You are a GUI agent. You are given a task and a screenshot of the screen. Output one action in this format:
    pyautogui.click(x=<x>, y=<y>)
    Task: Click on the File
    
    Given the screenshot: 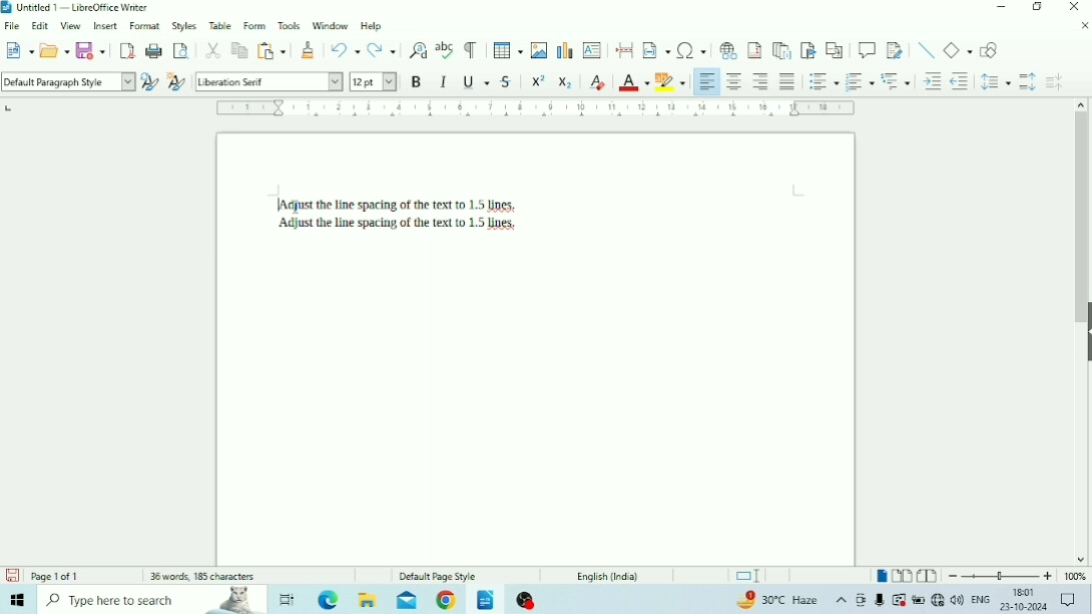 What is the action you would take?
    pyautogui.click(x=12, y=26)
    